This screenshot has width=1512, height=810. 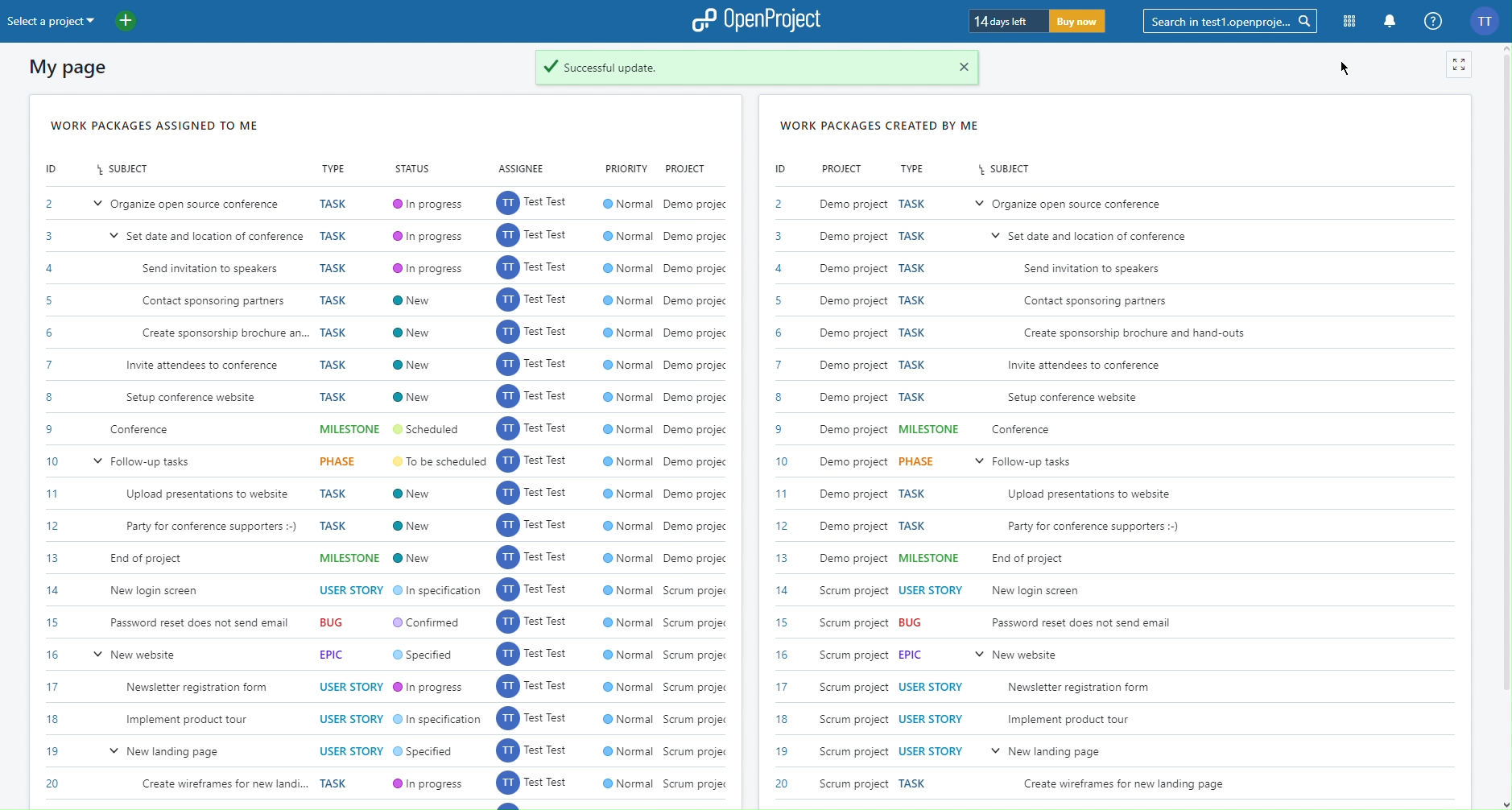 What do you see at coordinates (915, 167) in the screenshot?
I see `Type` at bounding box center [915, 167].